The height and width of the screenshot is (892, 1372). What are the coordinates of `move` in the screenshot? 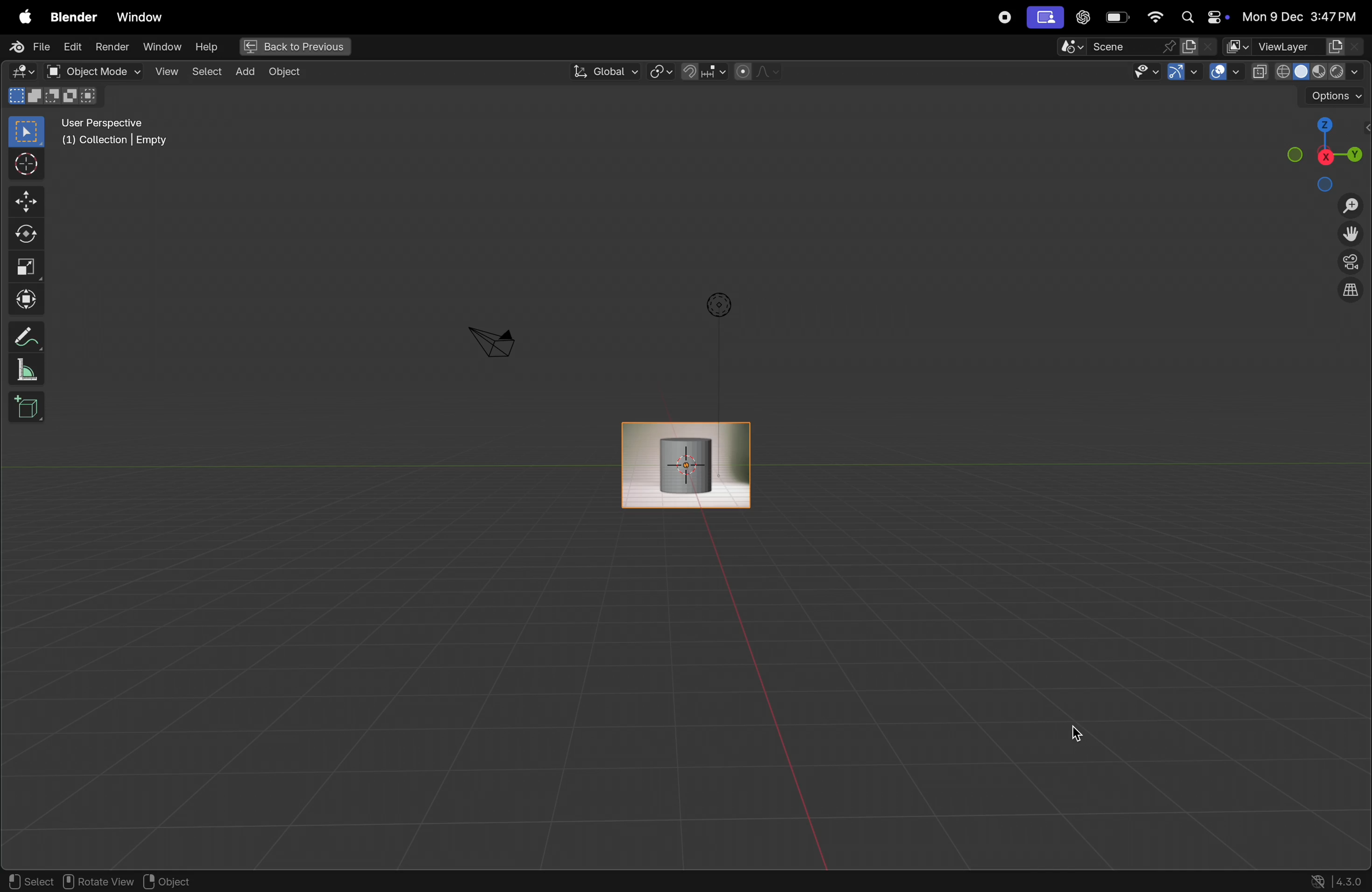 It's located at (24, 202).